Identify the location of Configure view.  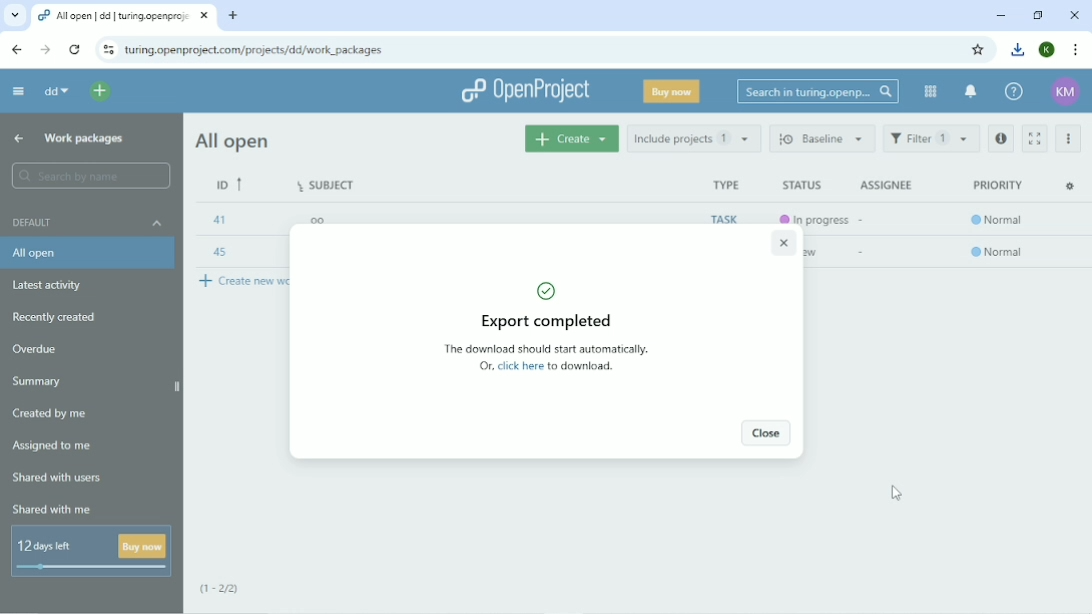
(1072, 186).